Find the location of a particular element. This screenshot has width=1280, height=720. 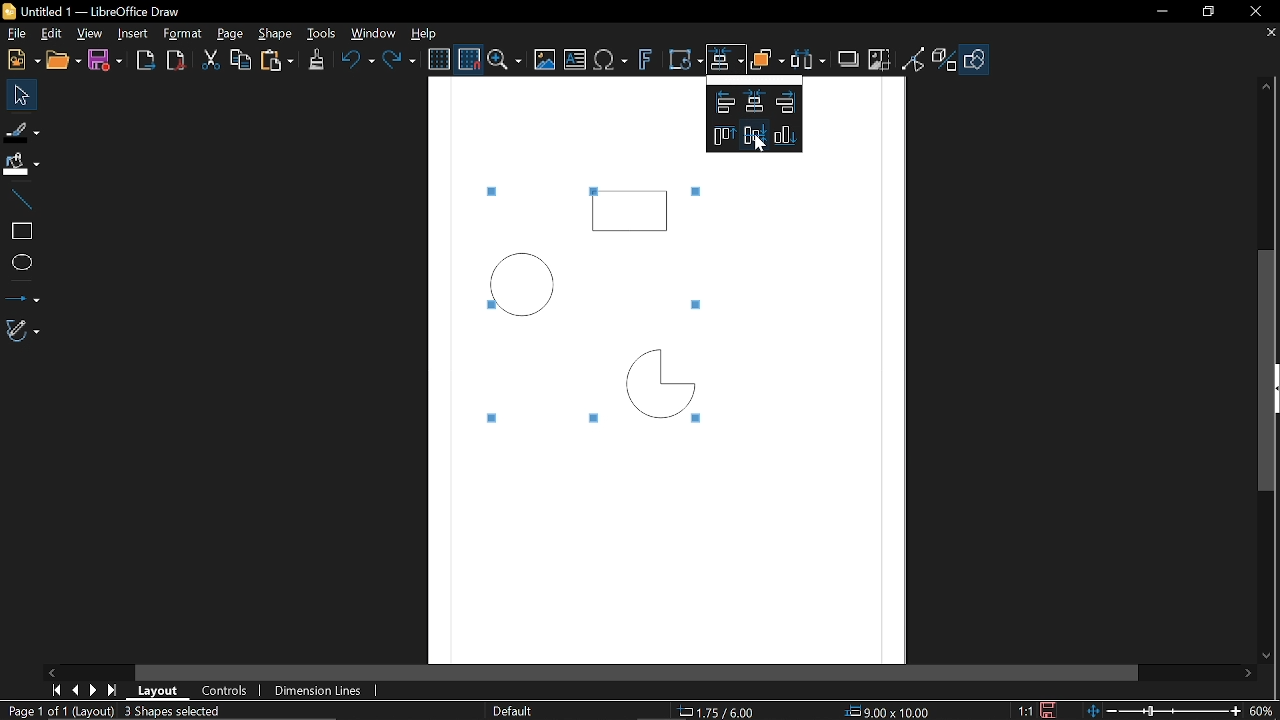

Align right is located at coordinates (787, 103).